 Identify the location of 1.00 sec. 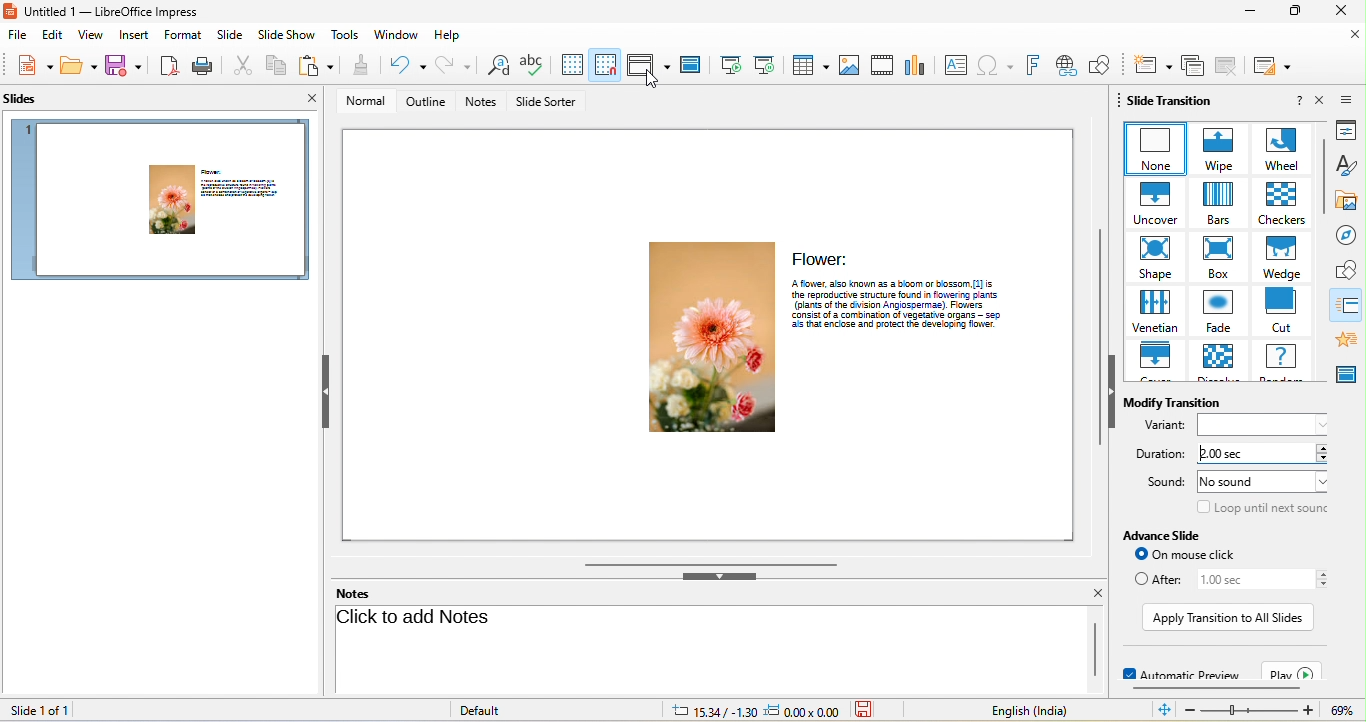
(1250, 579).